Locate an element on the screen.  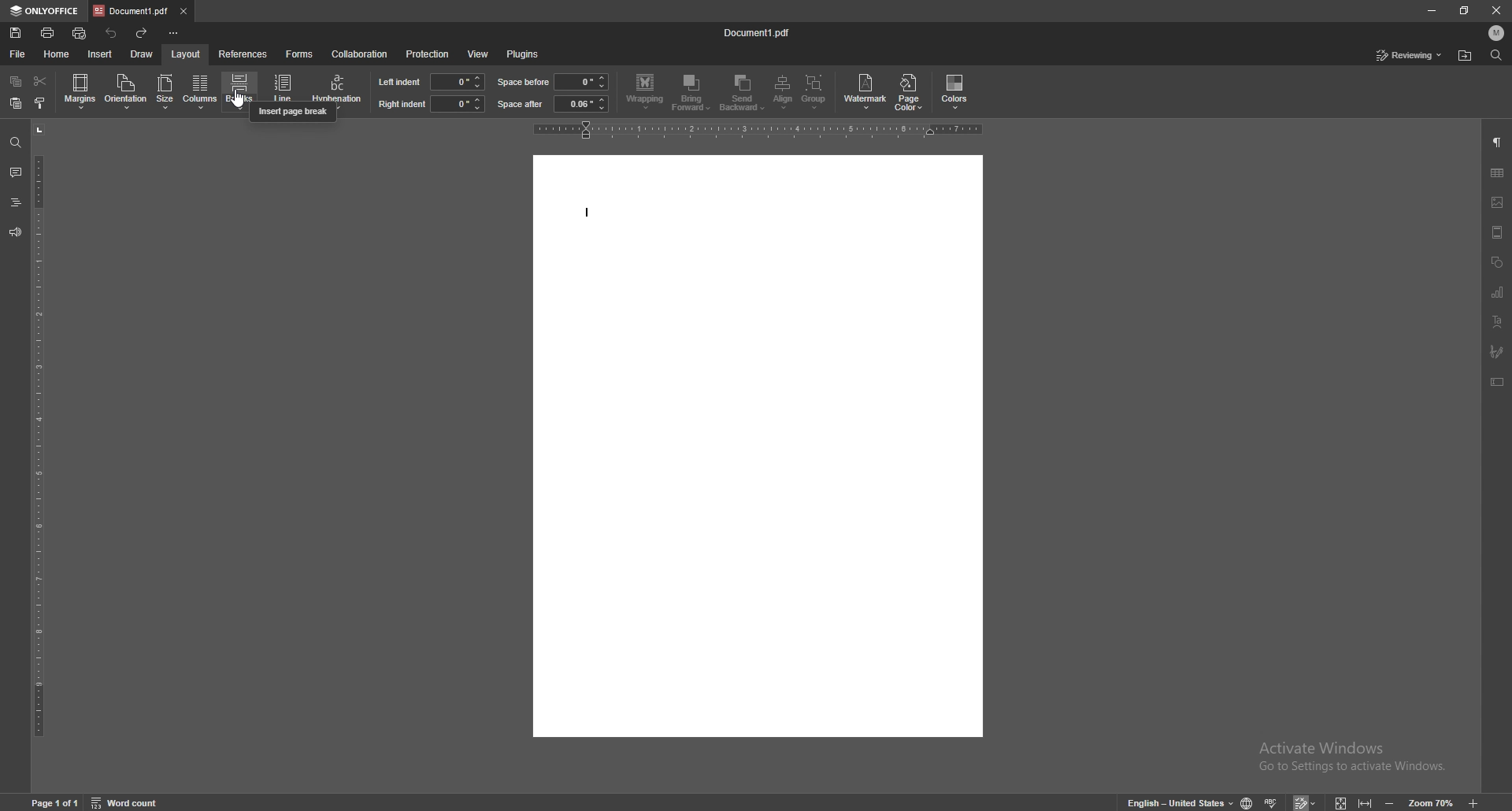
feedback is located at coordinates (16, 232).